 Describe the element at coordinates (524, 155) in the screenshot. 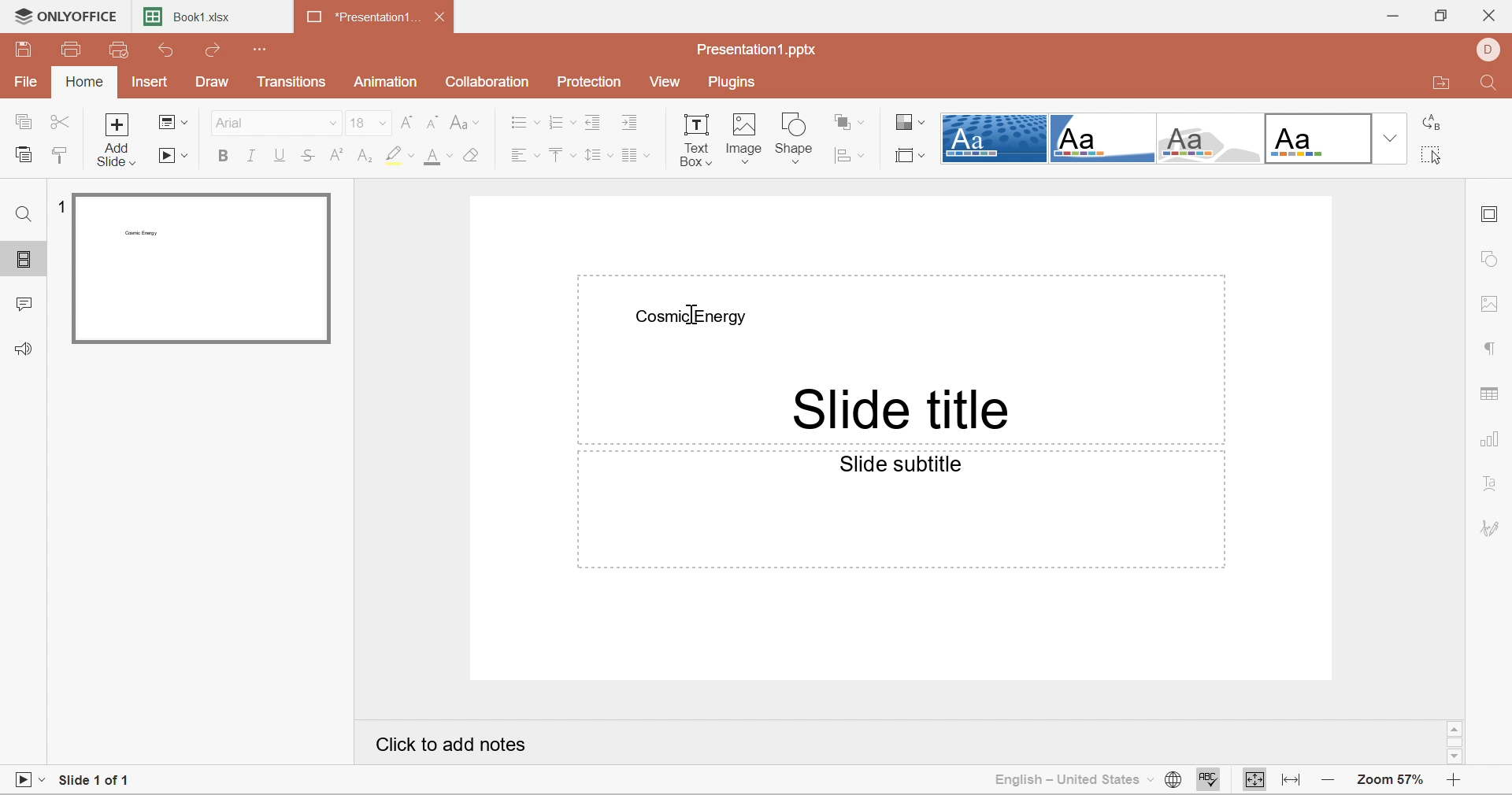

I see `Align Left` at that location.